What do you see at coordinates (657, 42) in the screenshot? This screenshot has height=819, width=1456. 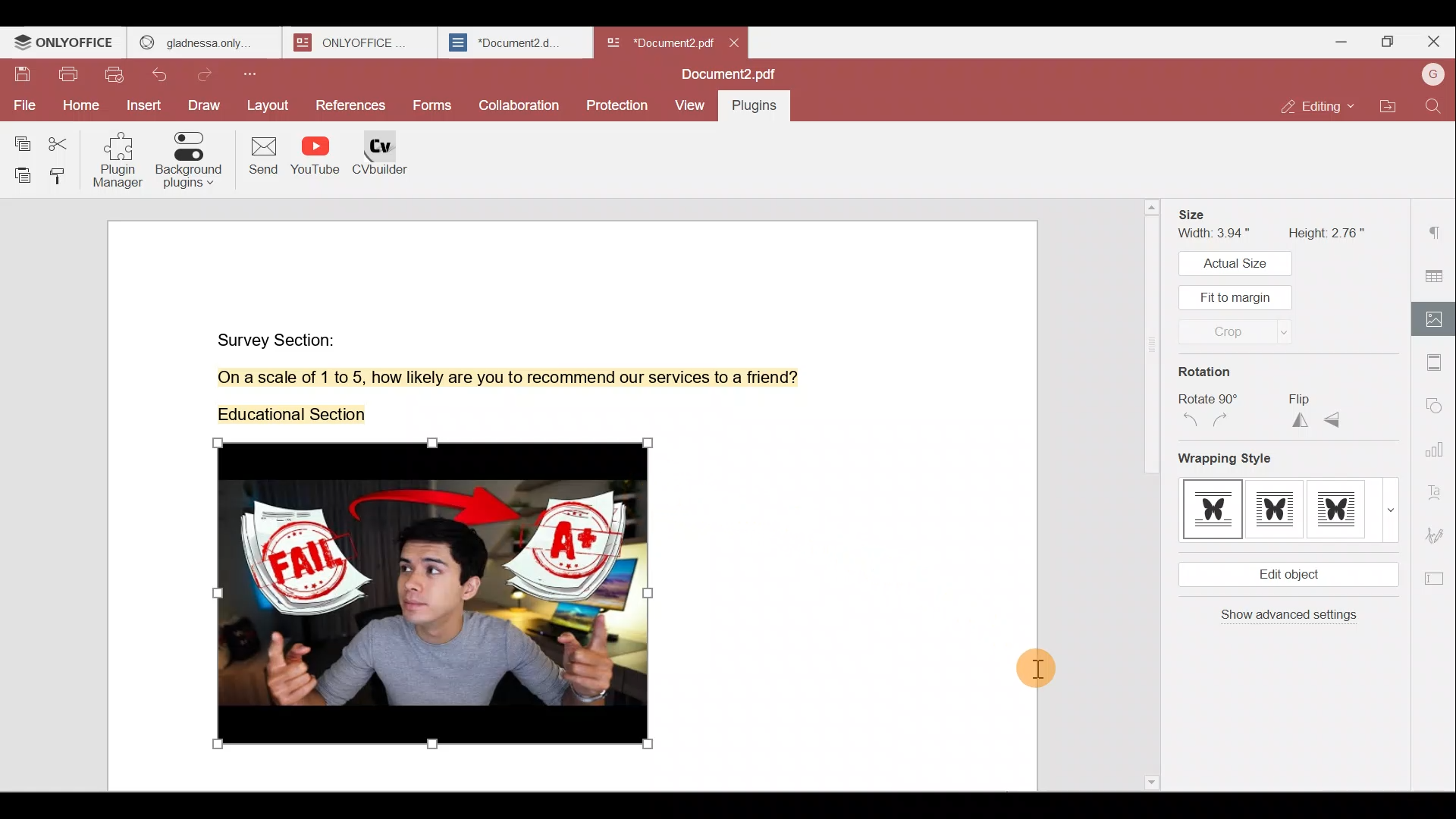 I see `Document2.pdf` at bounding box center [657, 42].